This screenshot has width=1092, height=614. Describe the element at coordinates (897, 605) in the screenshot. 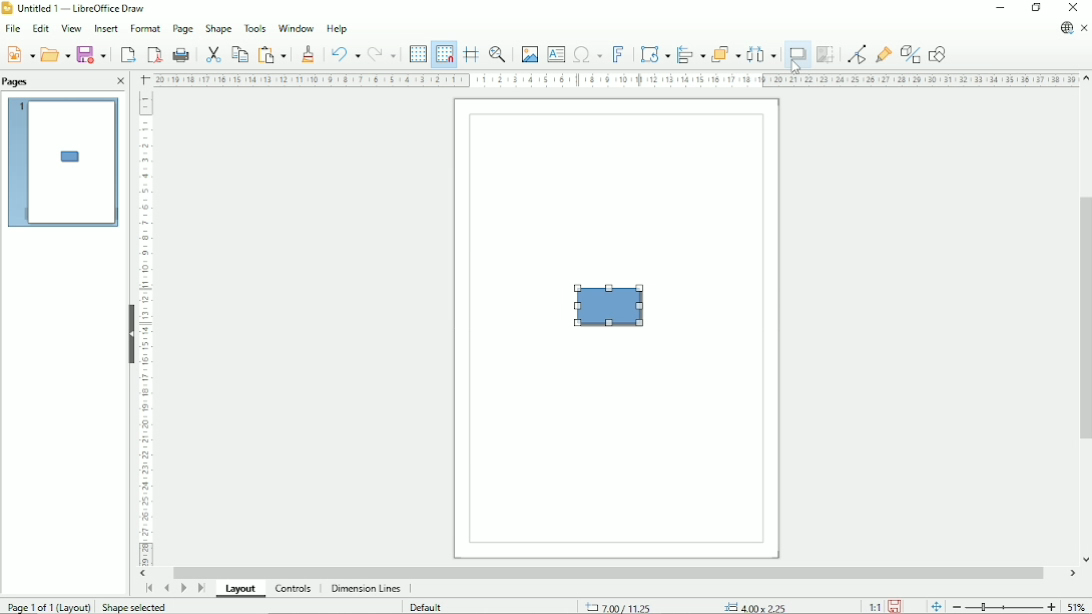

I see `Save` at that location.